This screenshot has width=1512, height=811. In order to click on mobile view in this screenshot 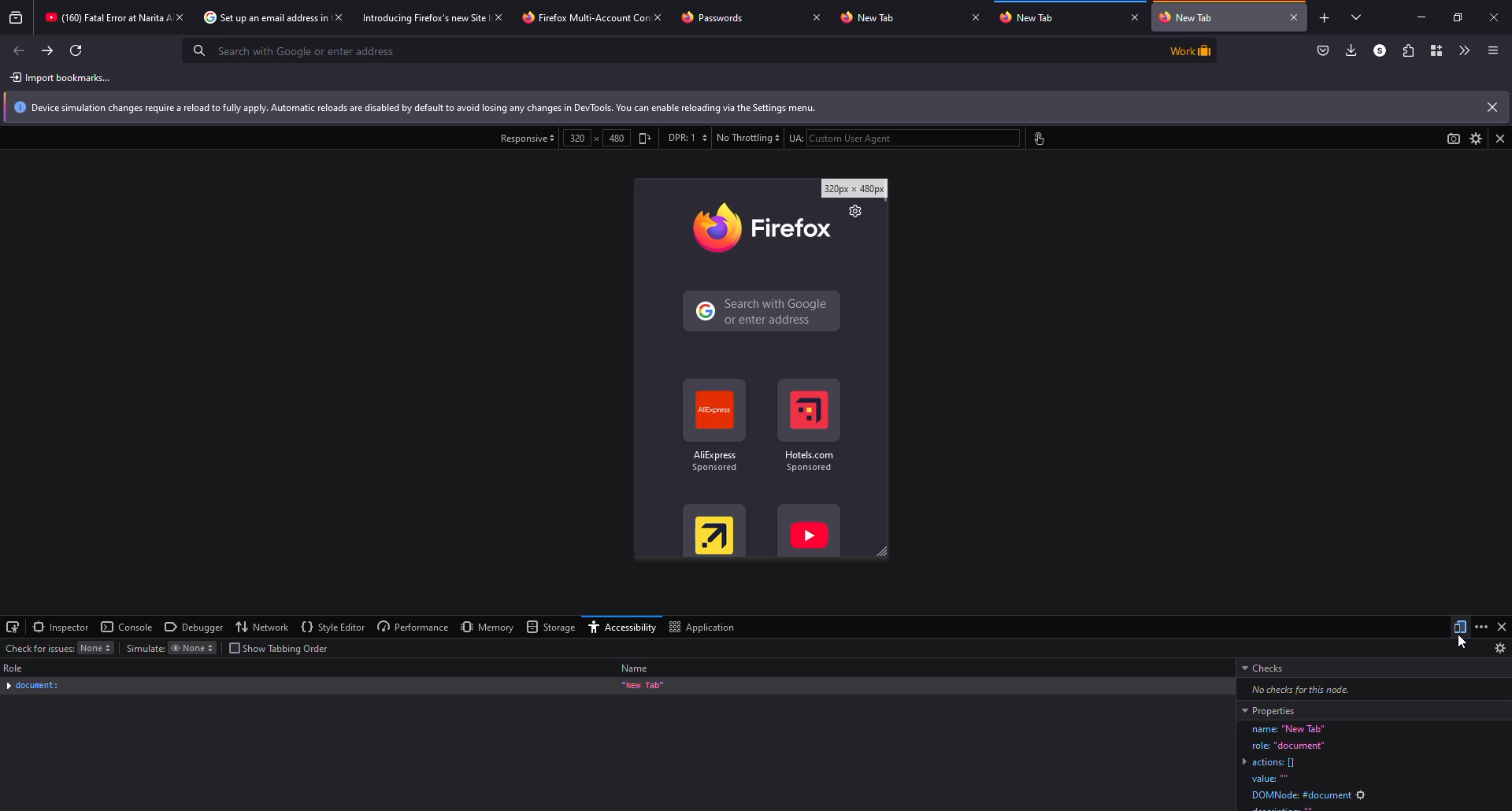, I will do `click(1460, 627)`.